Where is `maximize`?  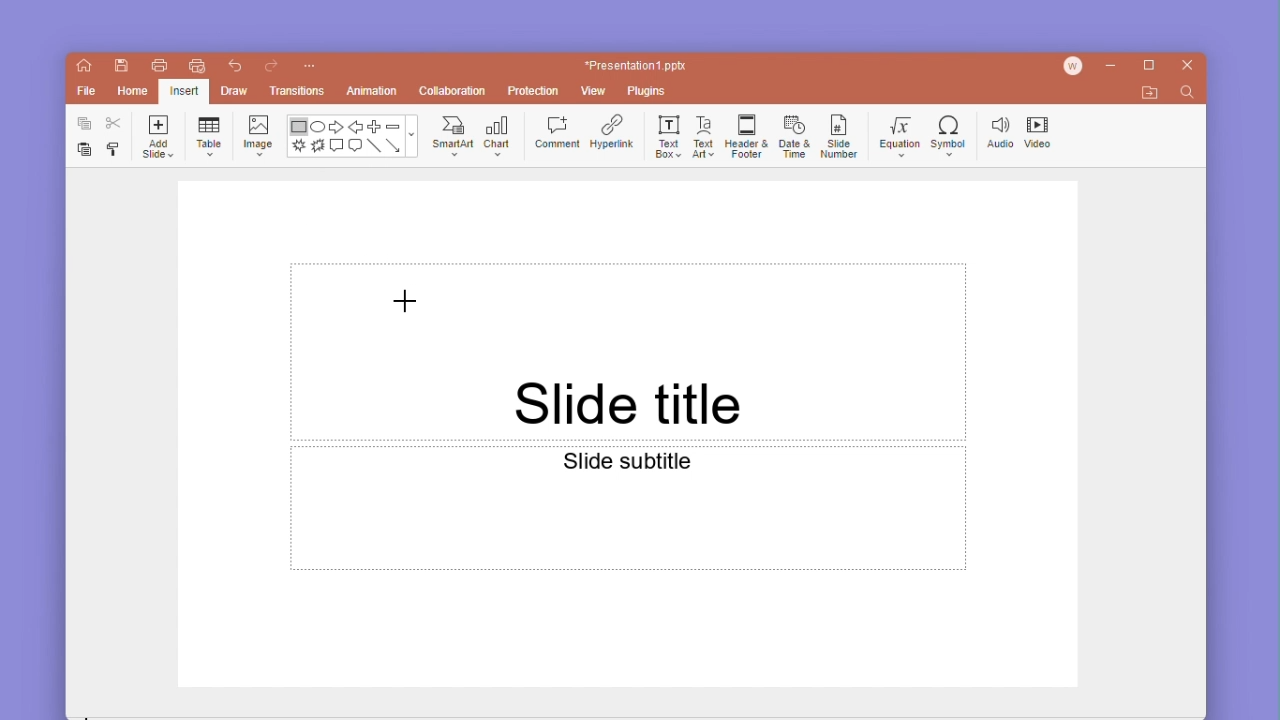
maximize is located at coordinates (1146, 66).